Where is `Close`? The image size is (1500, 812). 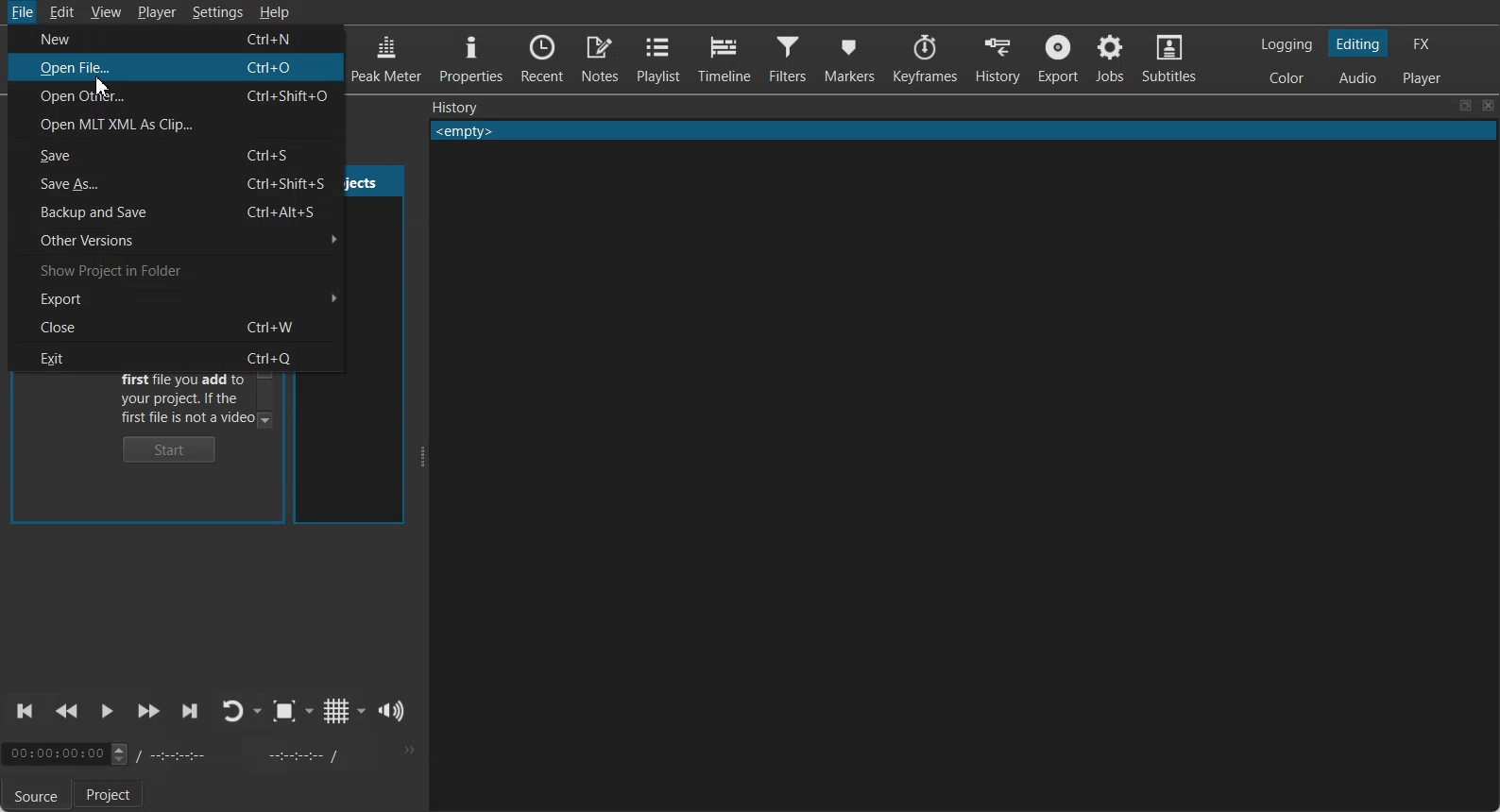
Close is located at coordinates (1489, 106).